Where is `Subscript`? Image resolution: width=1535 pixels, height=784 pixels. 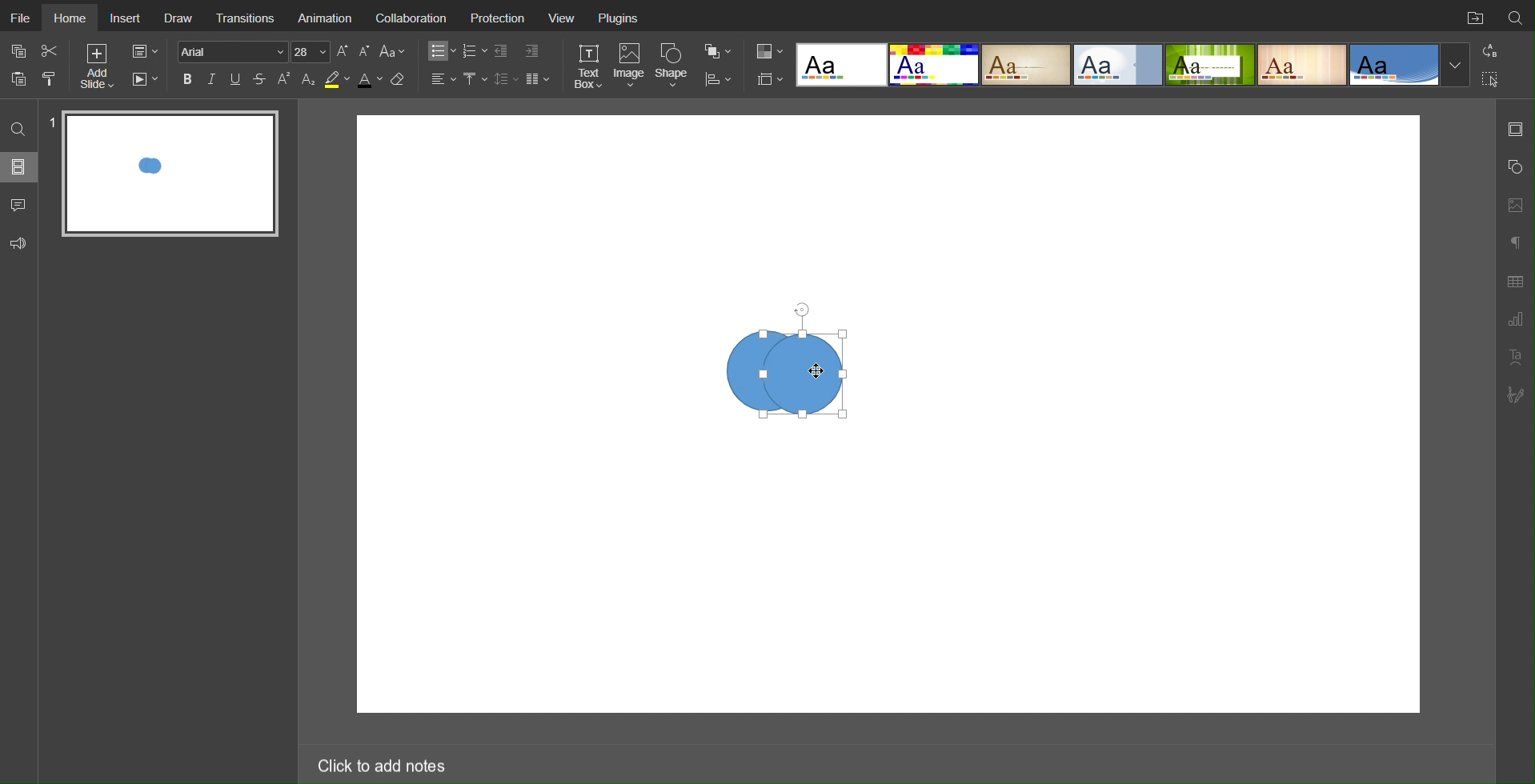
Subscript is located at coordinates (309, 79).